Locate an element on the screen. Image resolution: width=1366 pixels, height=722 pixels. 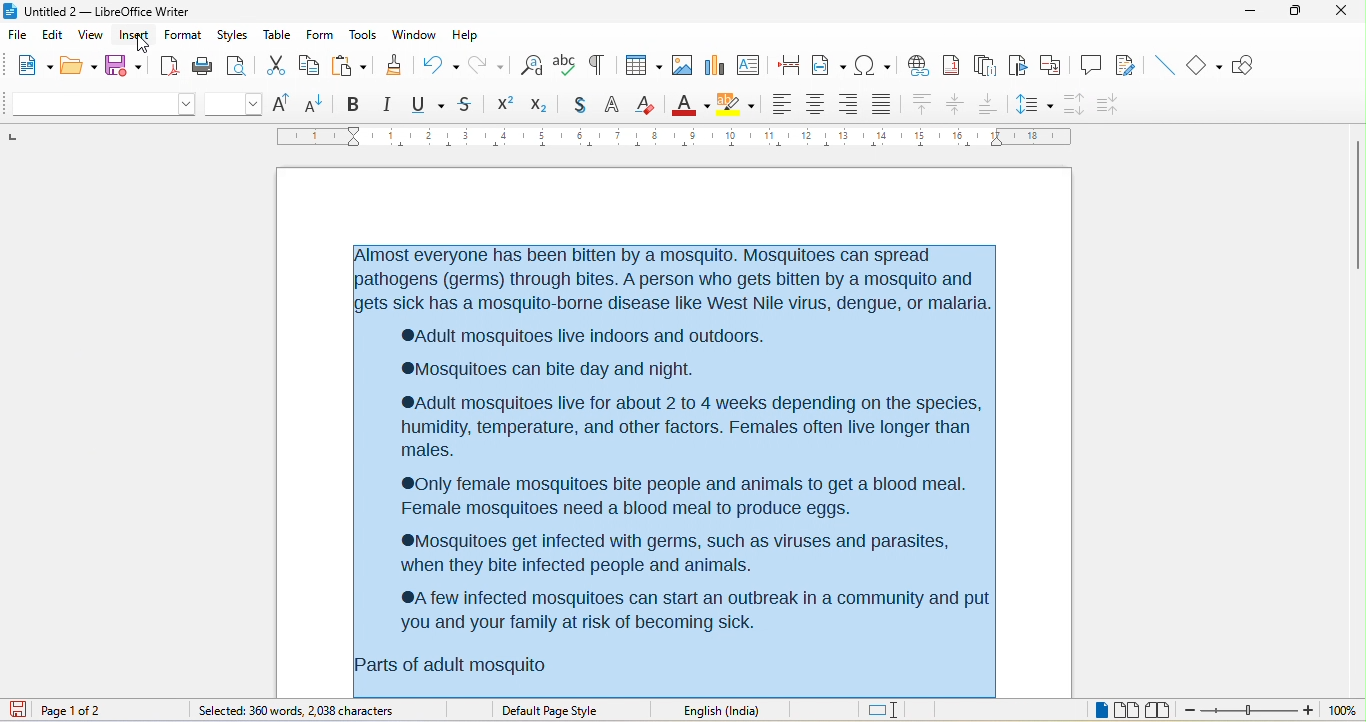
file is located at coordinates (17, 36).